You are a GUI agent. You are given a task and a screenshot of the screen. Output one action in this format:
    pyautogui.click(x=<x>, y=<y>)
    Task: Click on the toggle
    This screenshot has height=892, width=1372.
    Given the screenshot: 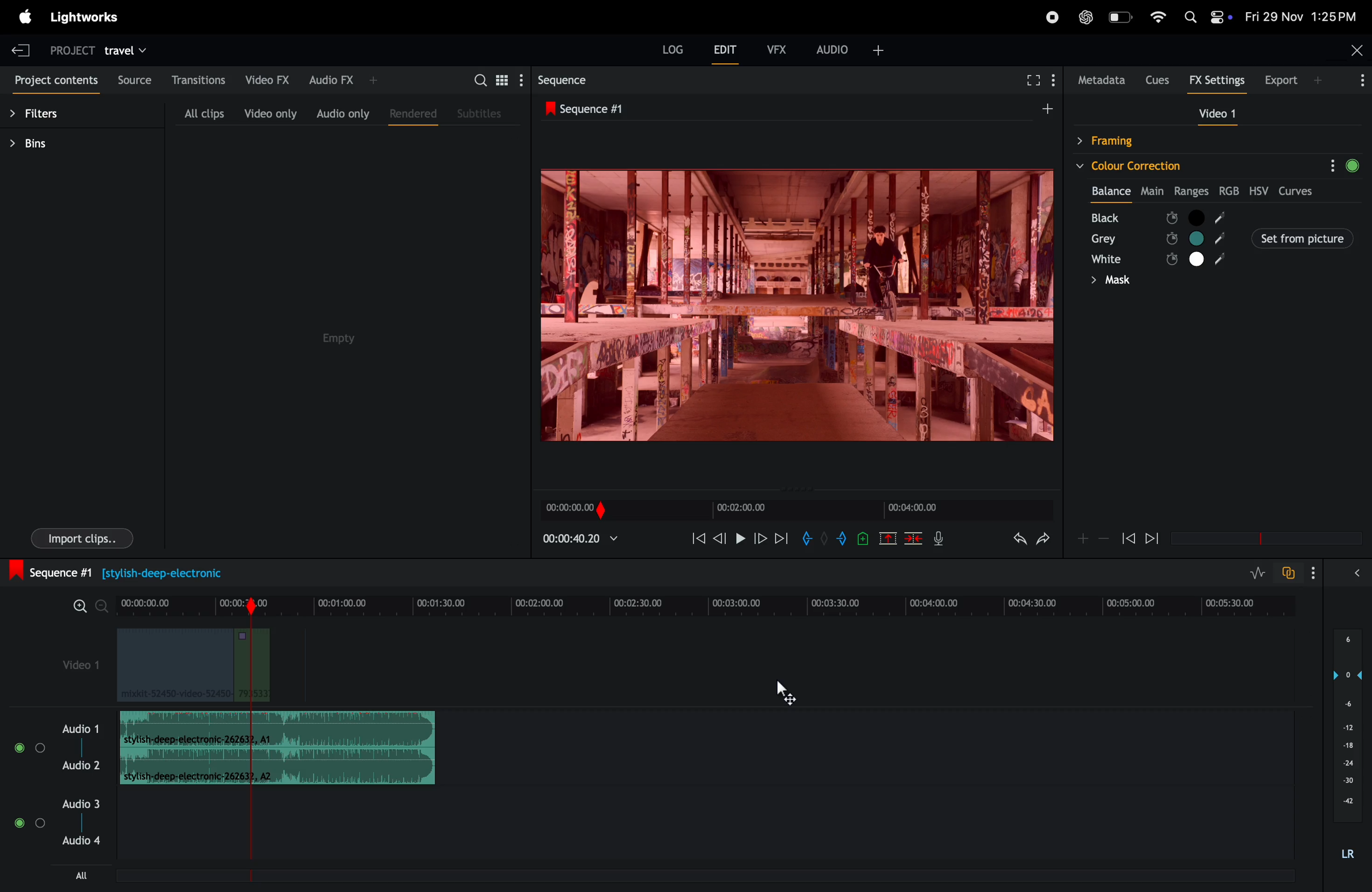 What is the action you would take?
    pyautogui.click(x=18, y=823)
    